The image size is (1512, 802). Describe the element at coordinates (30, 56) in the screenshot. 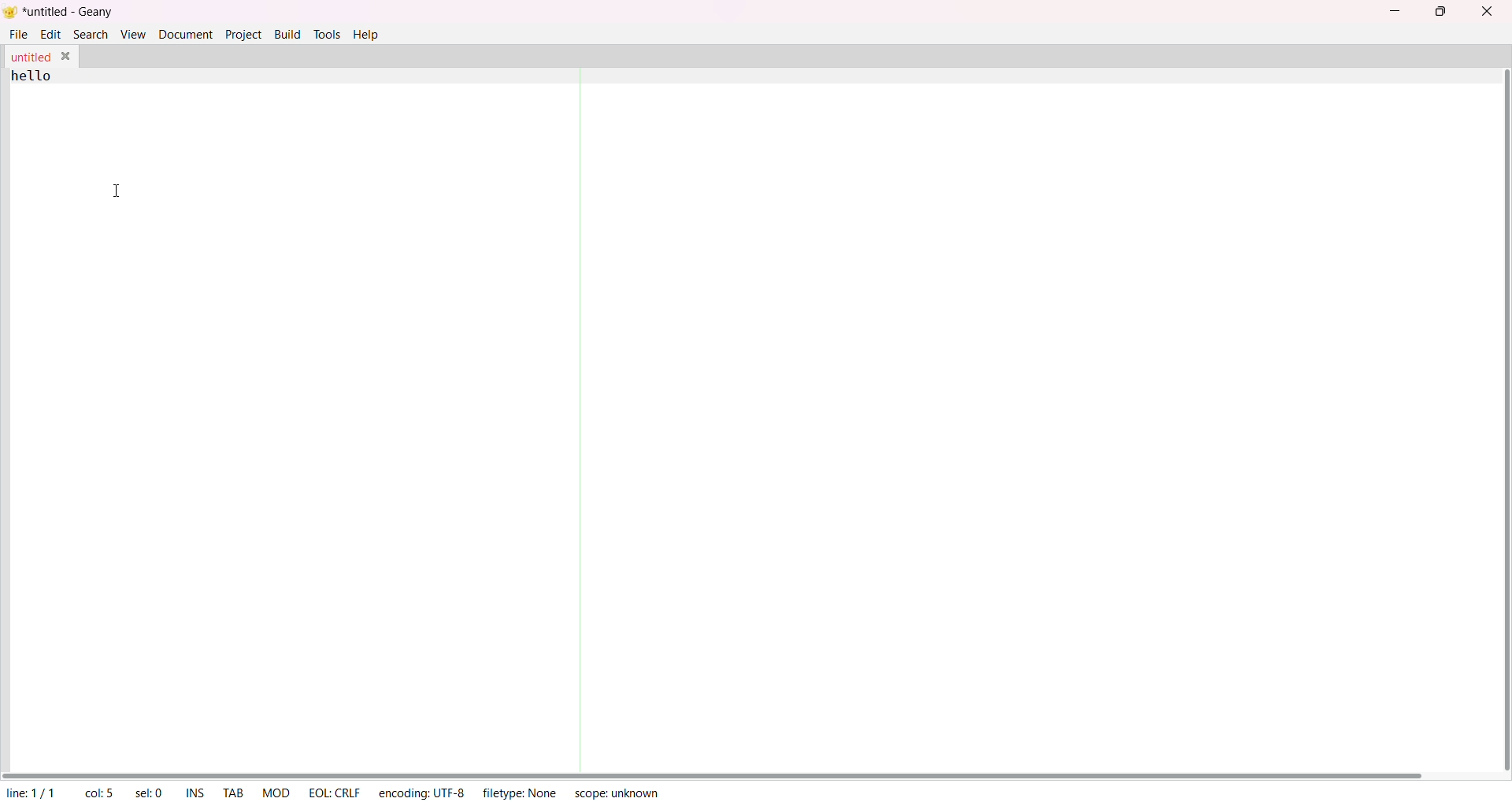

I see `untitled` at that location.